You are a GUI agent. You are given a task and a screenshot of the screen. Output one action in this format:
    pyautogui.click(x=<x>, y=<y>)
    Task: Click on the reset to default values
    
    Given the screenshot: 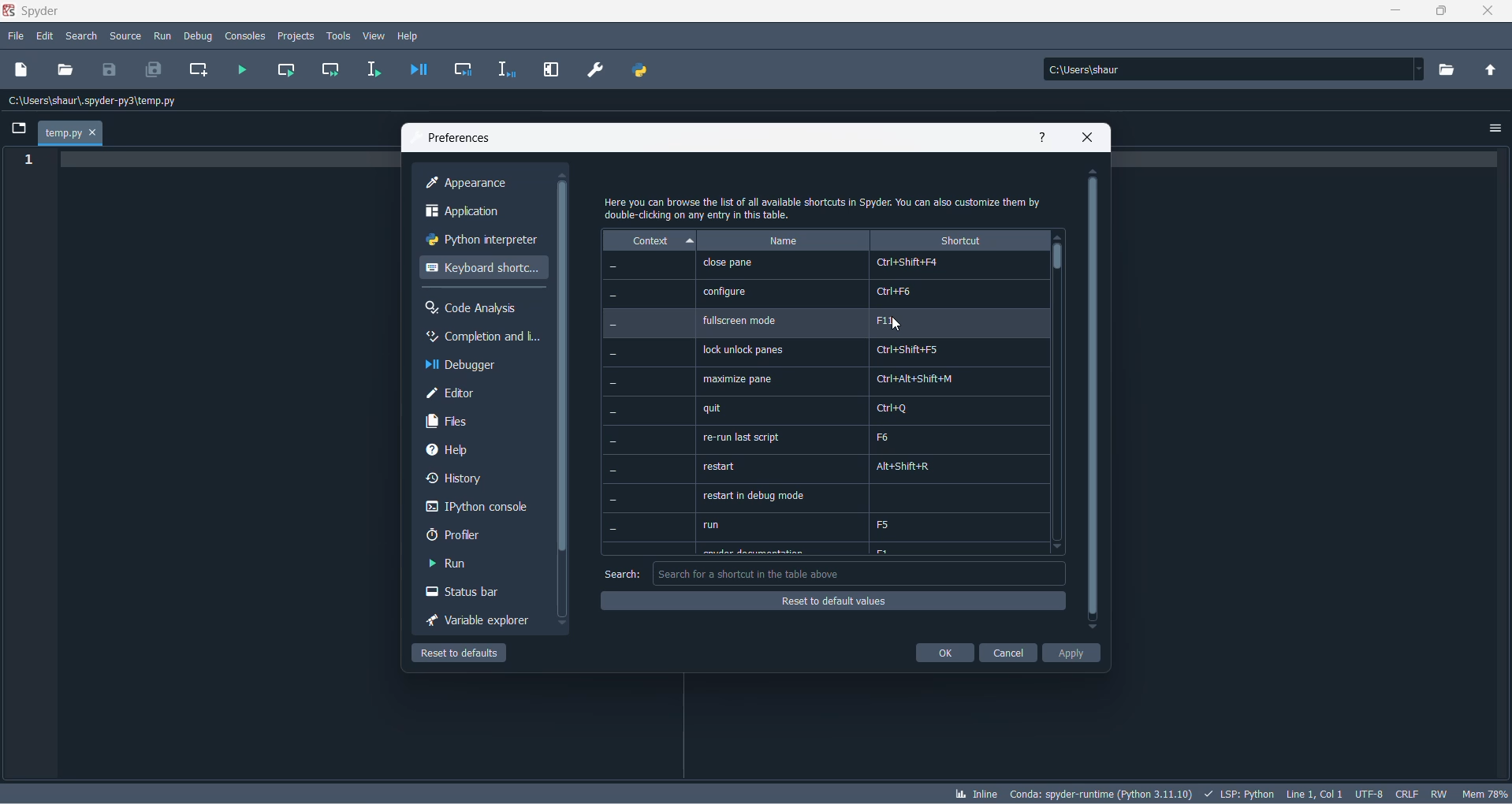 What is the action you would take?
    pyautogui.click(x=834, y=603)
    